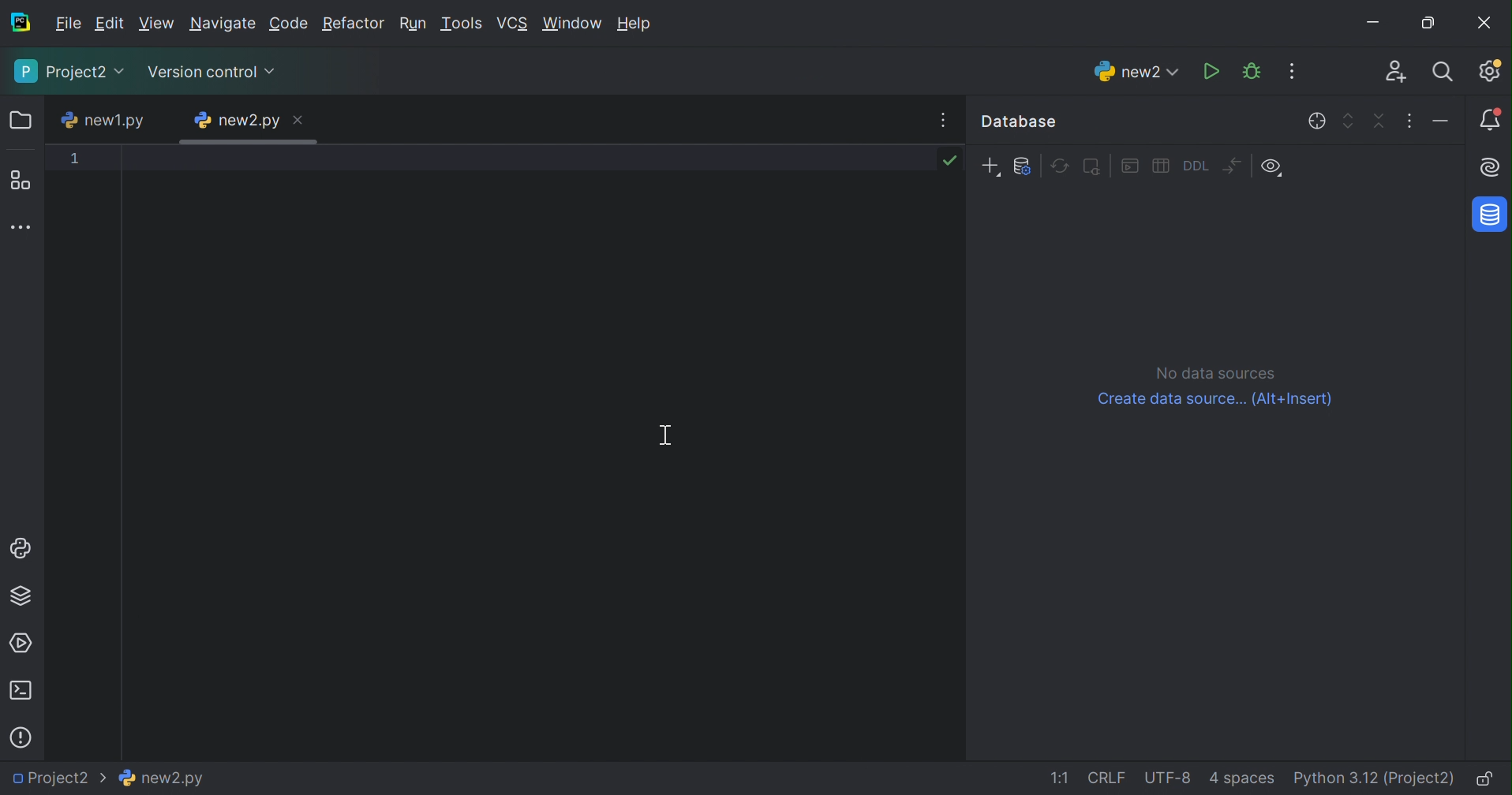 This screenshot has height=795, width=1512. What do you see at coordinates (1105, 777) in the screenshot?
I see `CRLF` at bounding box center [1105, 777].